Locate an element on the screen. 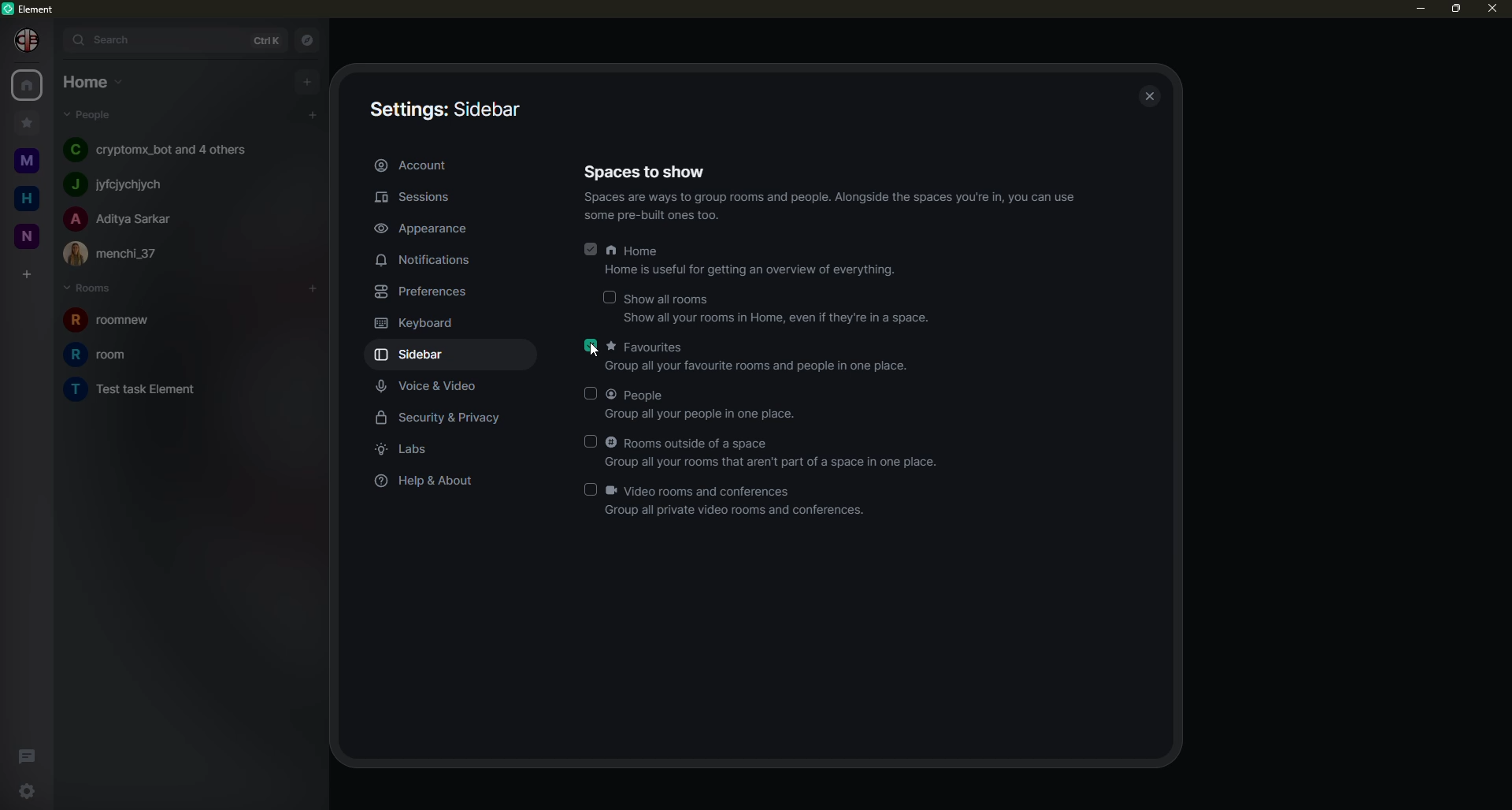 Image resolution: width=1512 pixels, height=810 pixels. click to enable is located at coordinates (592, 489).